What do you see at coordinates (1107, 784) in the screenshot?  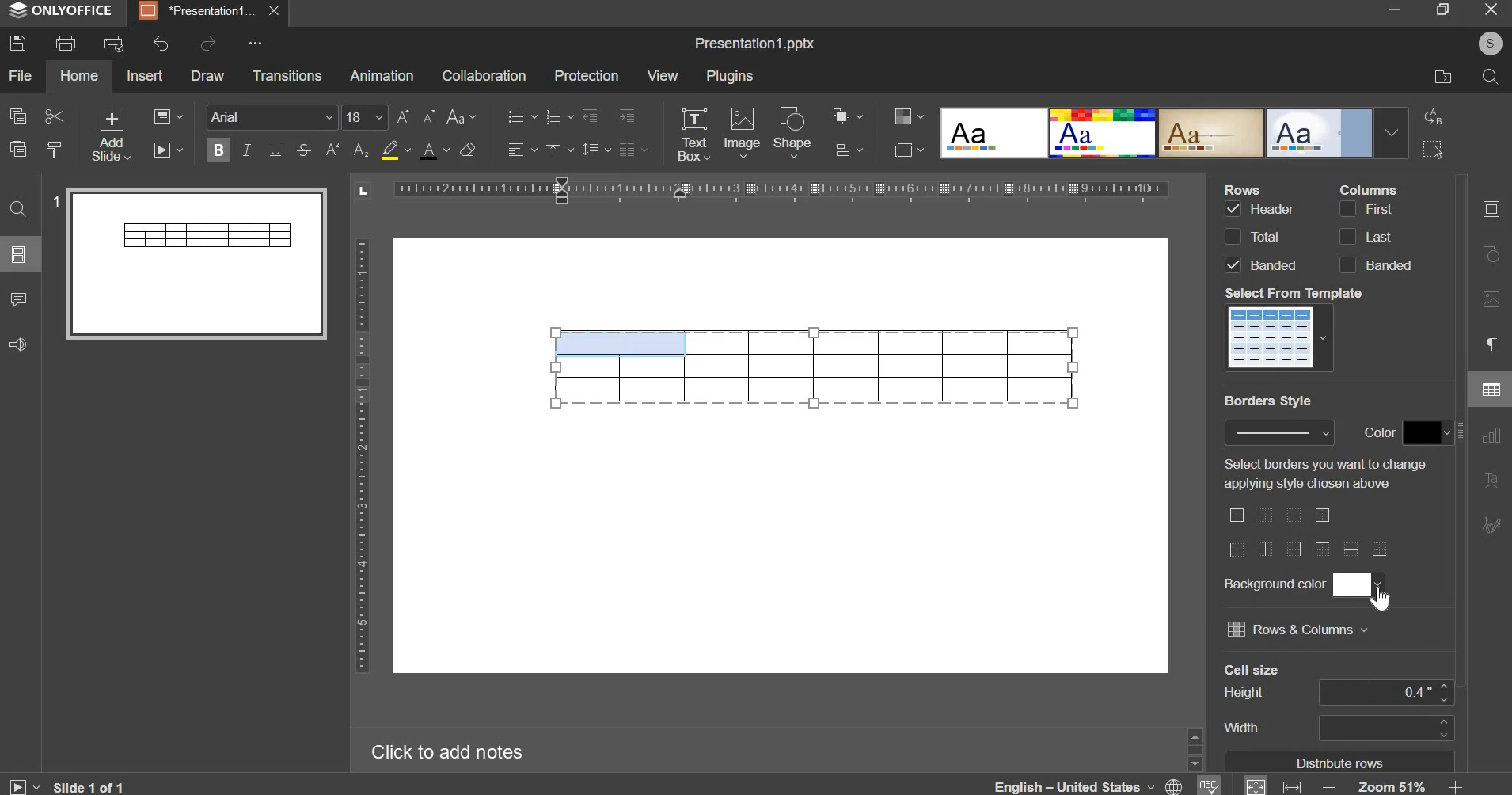 I see `language & spelling` at bounding box center [1107, 784].